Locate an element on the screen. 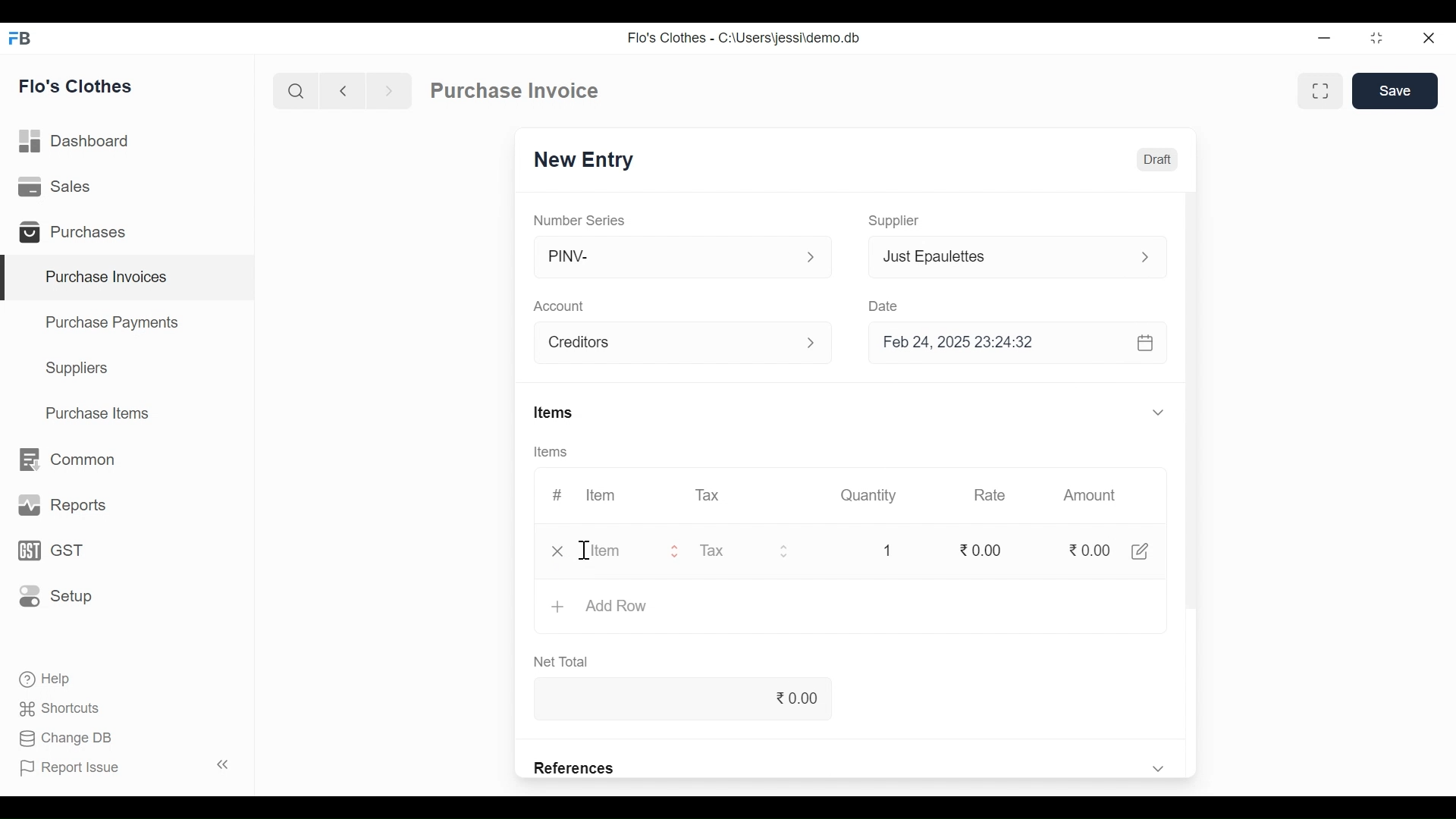  Flo's Clothes is located at coordinates (78, 86).